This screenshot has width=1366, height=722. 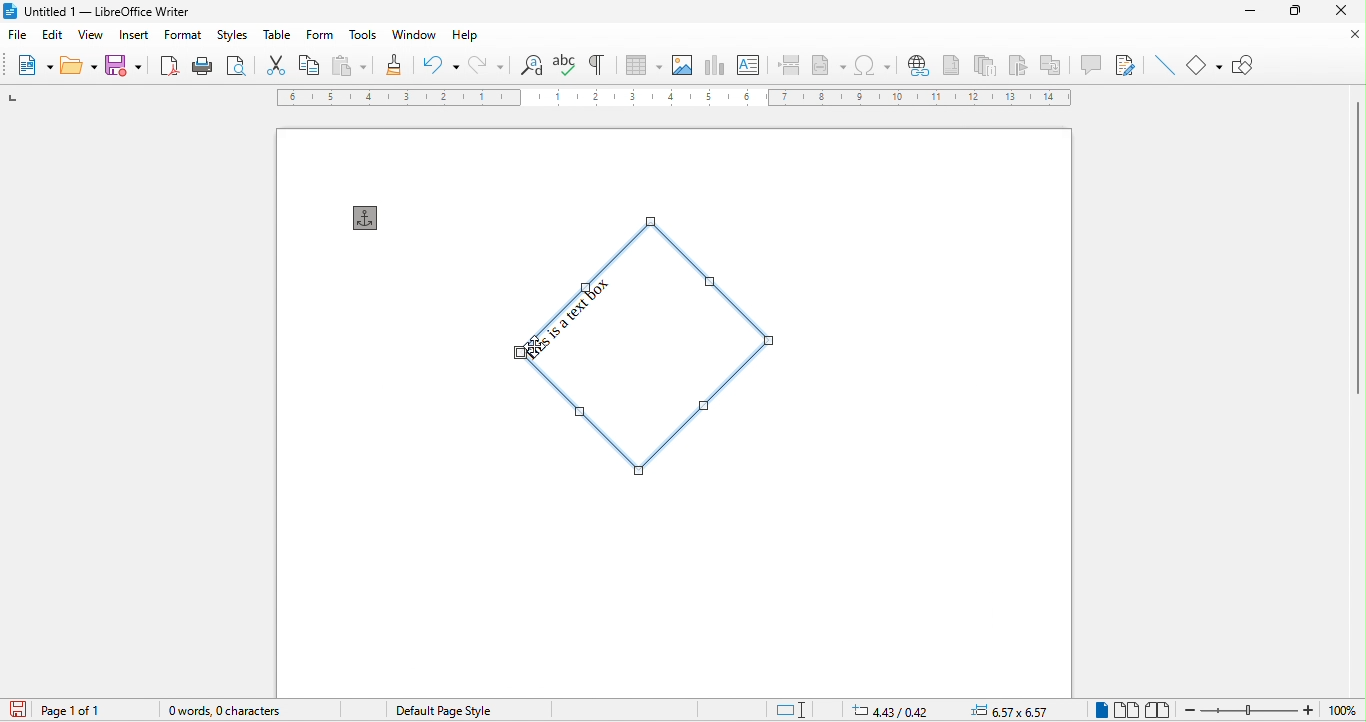 I want to click on footnote, so click(x=950, y=64).